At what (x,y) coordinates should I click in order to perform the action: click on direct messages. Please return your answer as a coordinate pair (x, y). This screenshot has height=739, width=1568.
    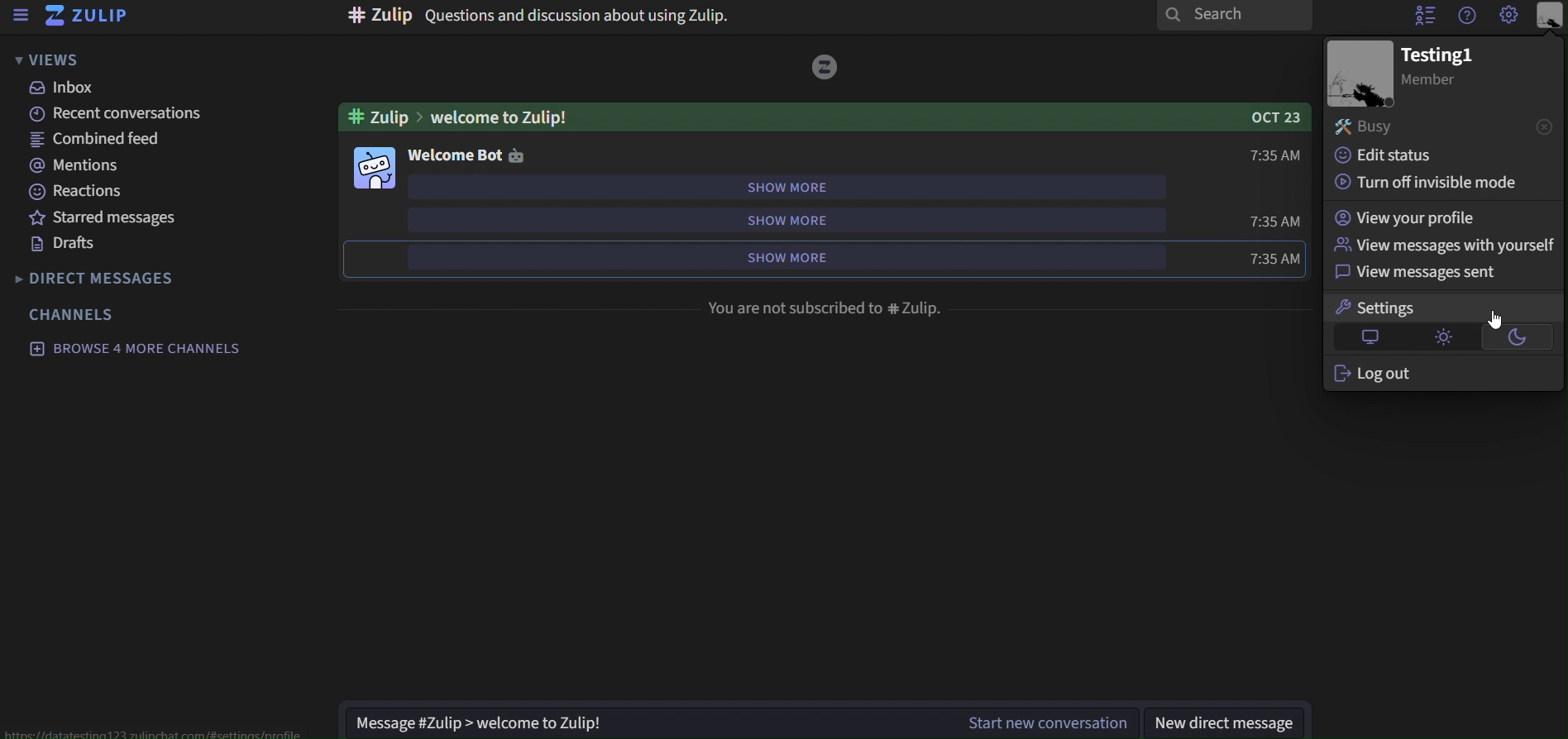
    Looking at the image, I should click on (100, 279).